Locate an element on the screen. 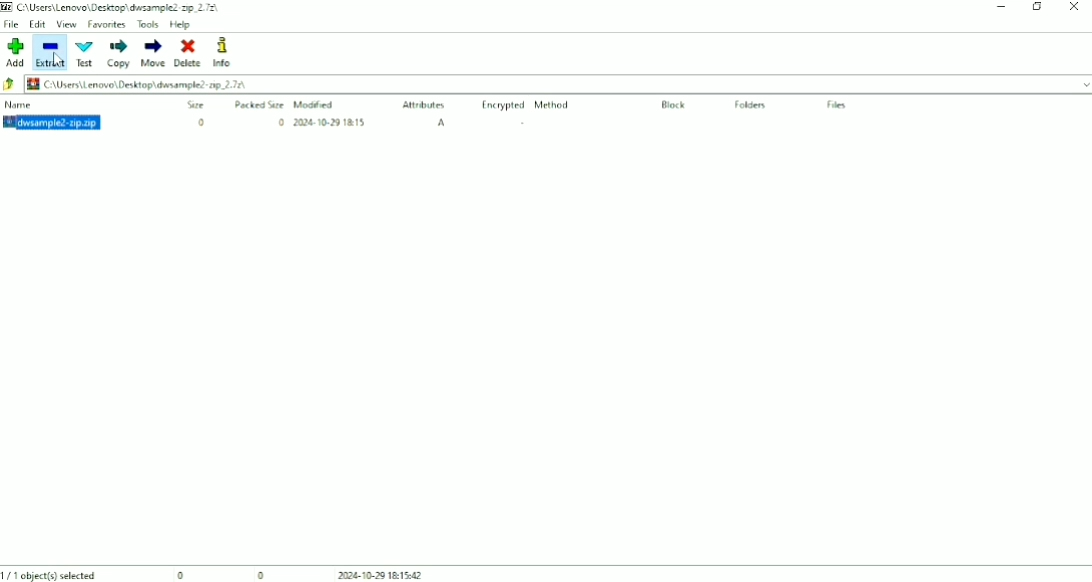  File is located at coordinates (12, 23).